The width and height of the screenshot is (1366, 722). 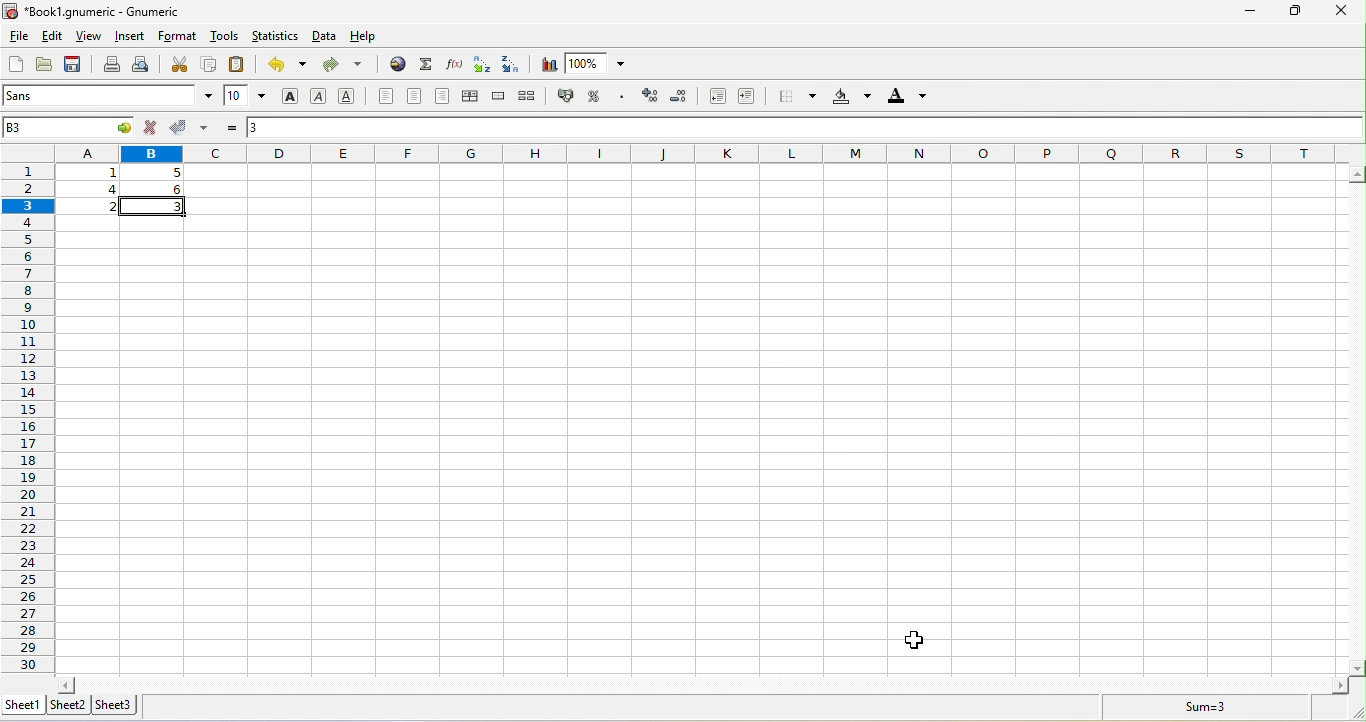 I want to click on print preview, so click(x=144, y=65).